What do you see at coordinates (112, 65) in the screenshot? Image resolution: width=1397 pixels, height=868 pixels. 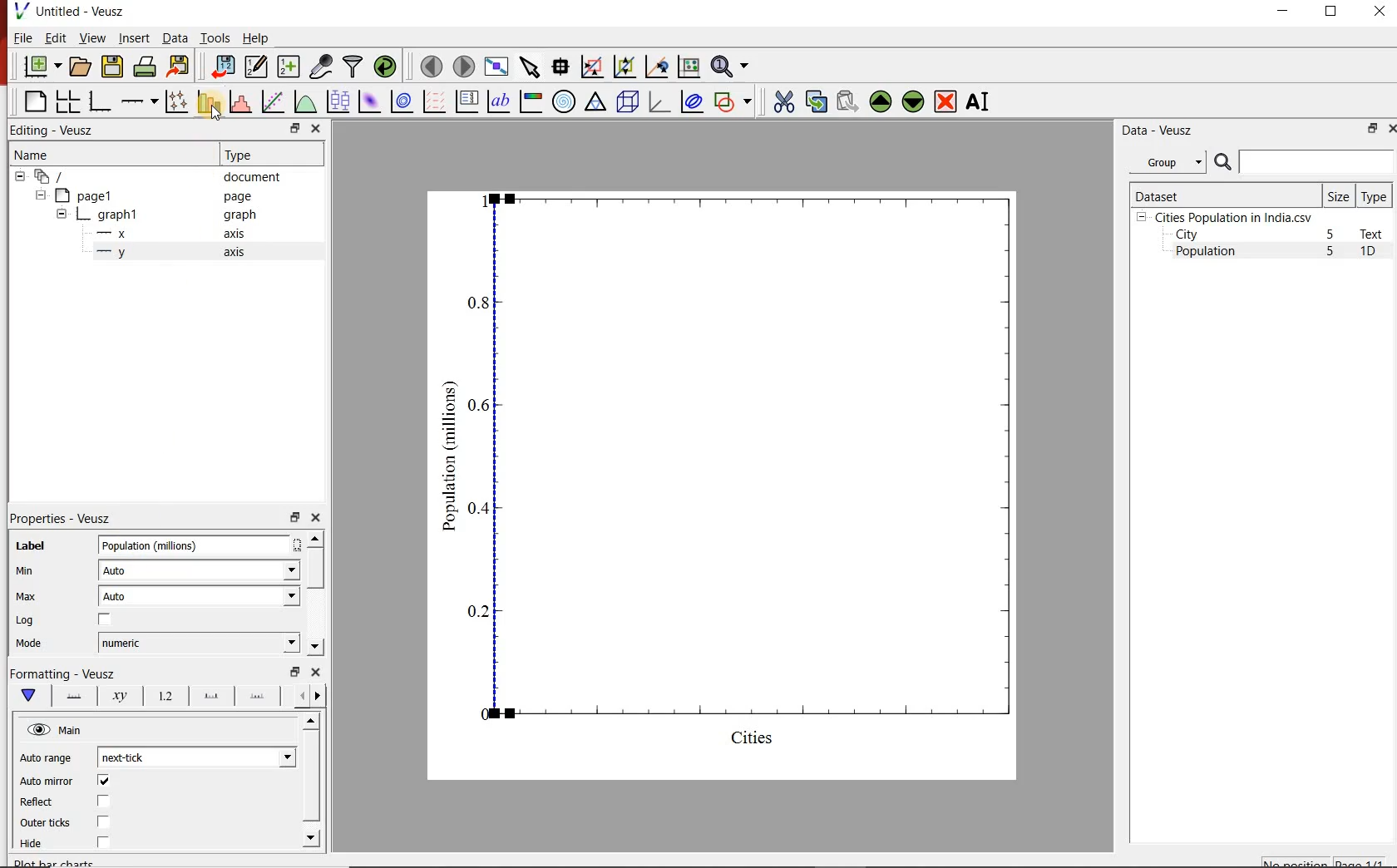 I see `save the document` at bounding box center [112, 65].